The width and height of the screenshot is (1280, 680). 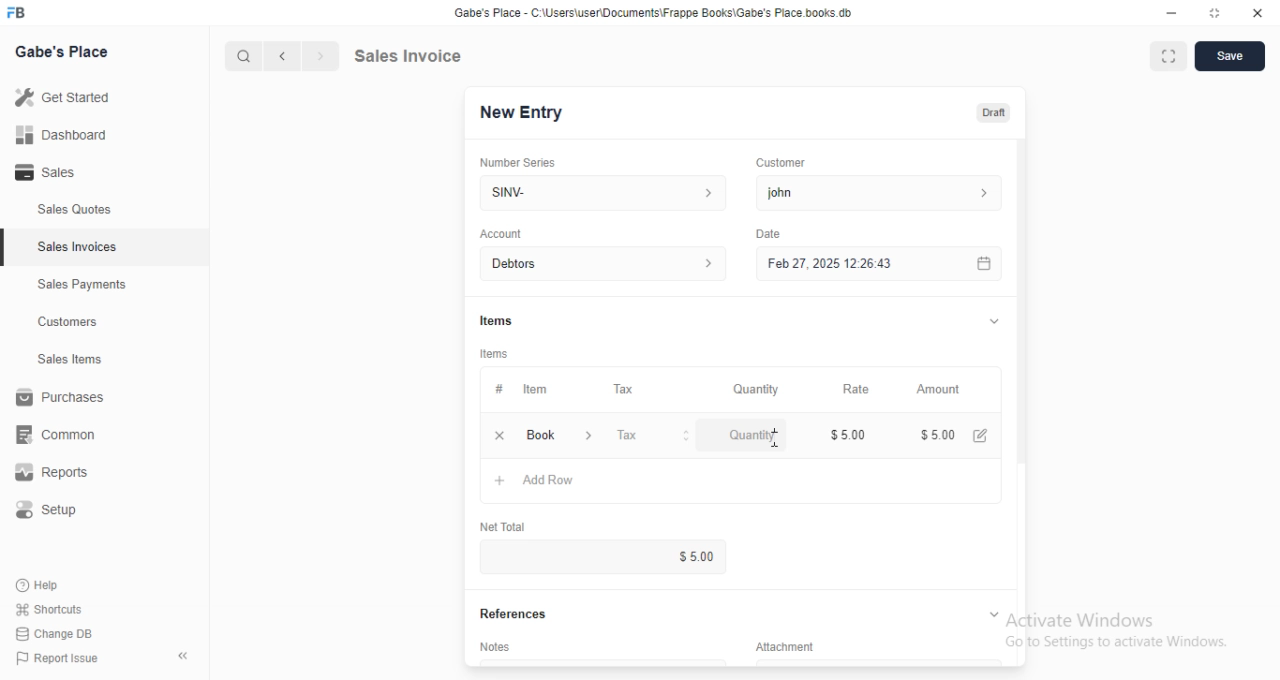 What do you see at coordinates (242, 53) in the screenshot?
I see `Search` at bounding box center [242, 53].